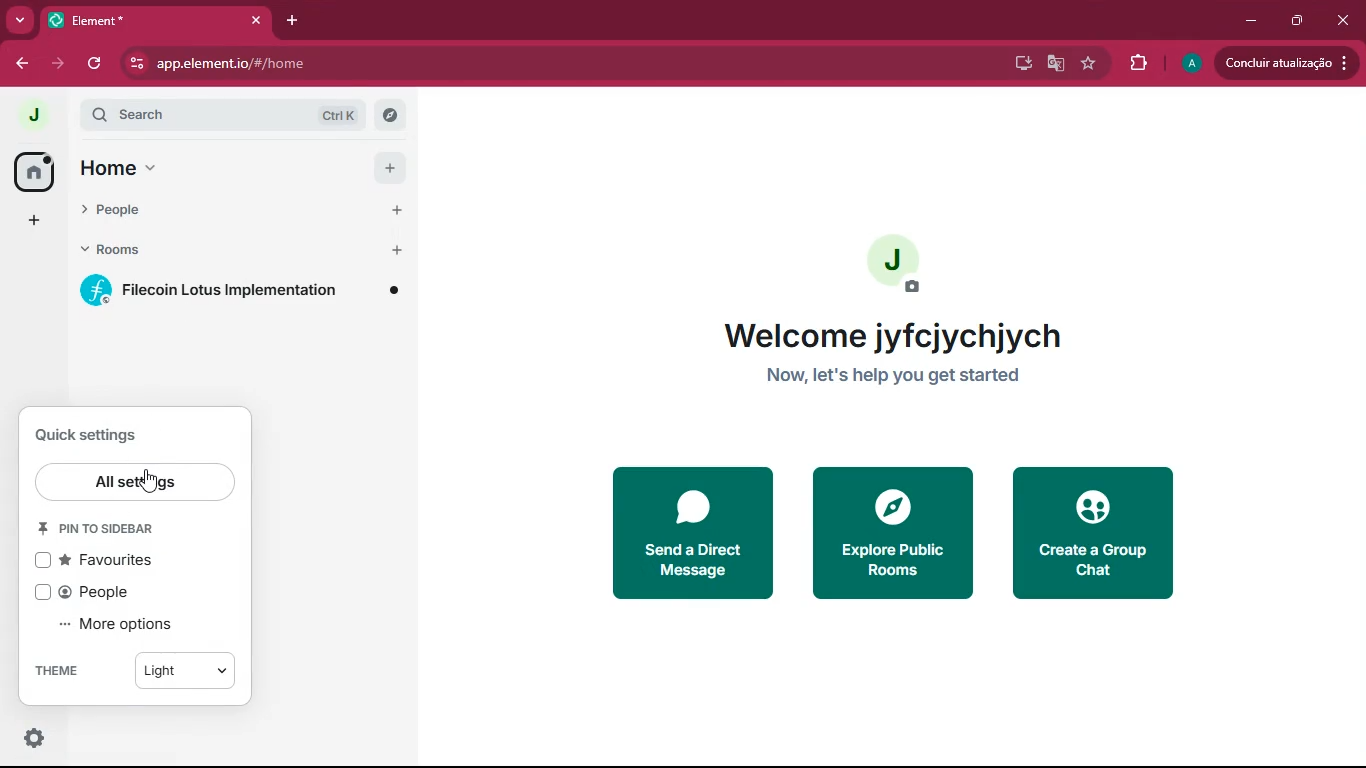  What do you see at coordinates (55, 670) in the screenshot?
I see `theme` at bounding box center [55, 670].